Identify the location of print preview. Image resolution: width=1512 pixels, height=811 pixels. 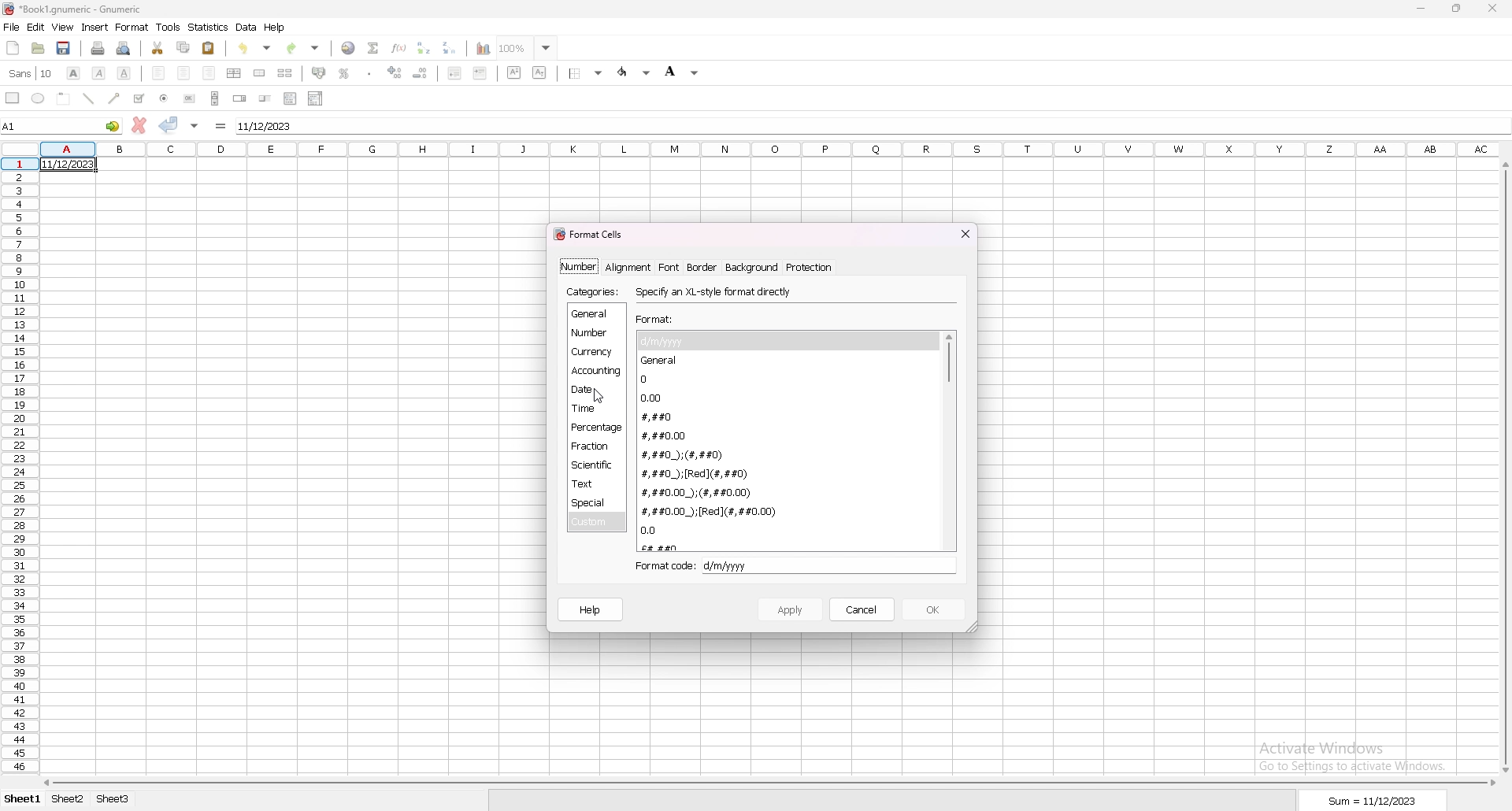
(124, 49).